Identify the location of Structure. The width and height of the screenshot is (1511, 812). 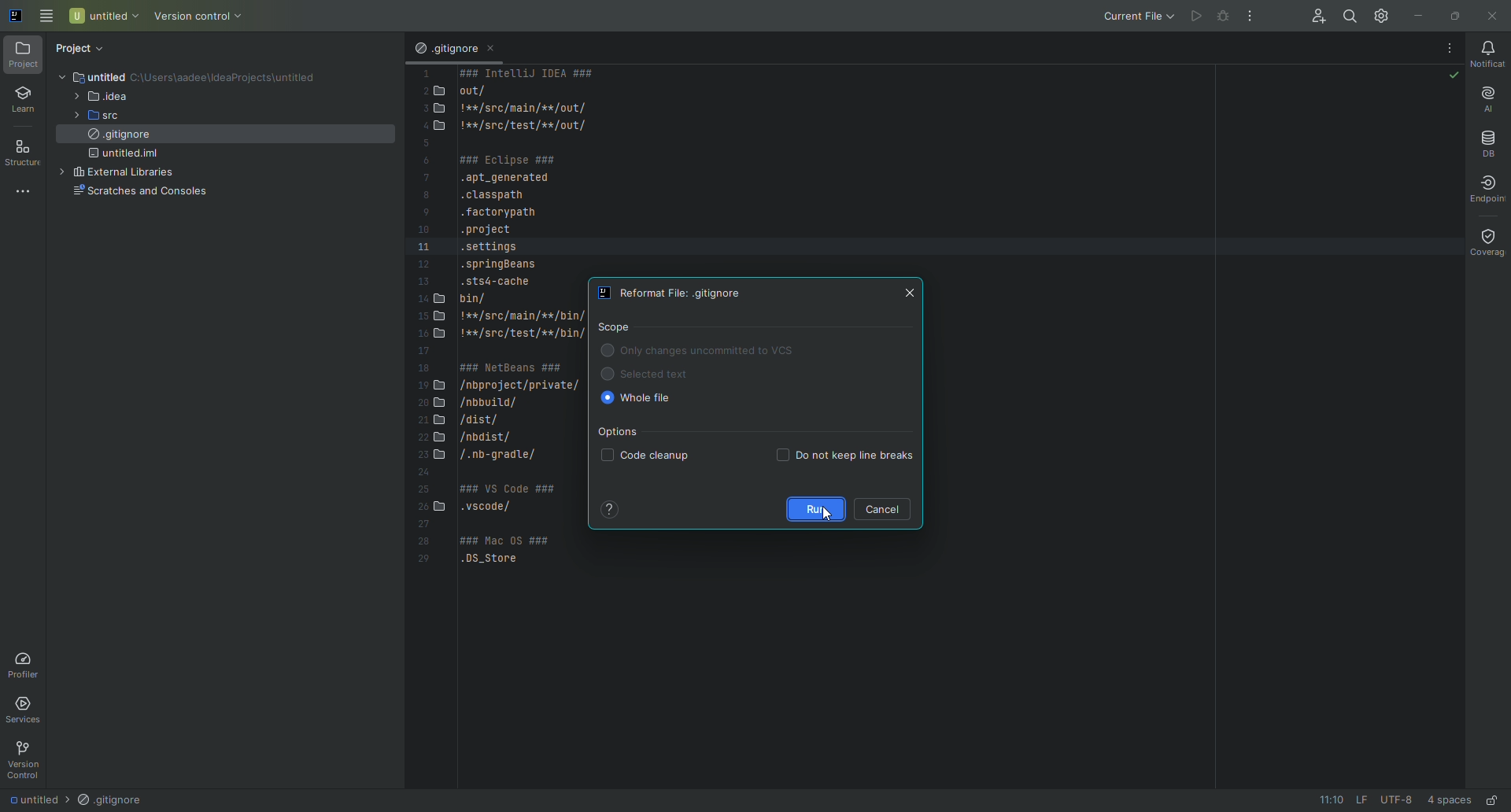
(26, 152).